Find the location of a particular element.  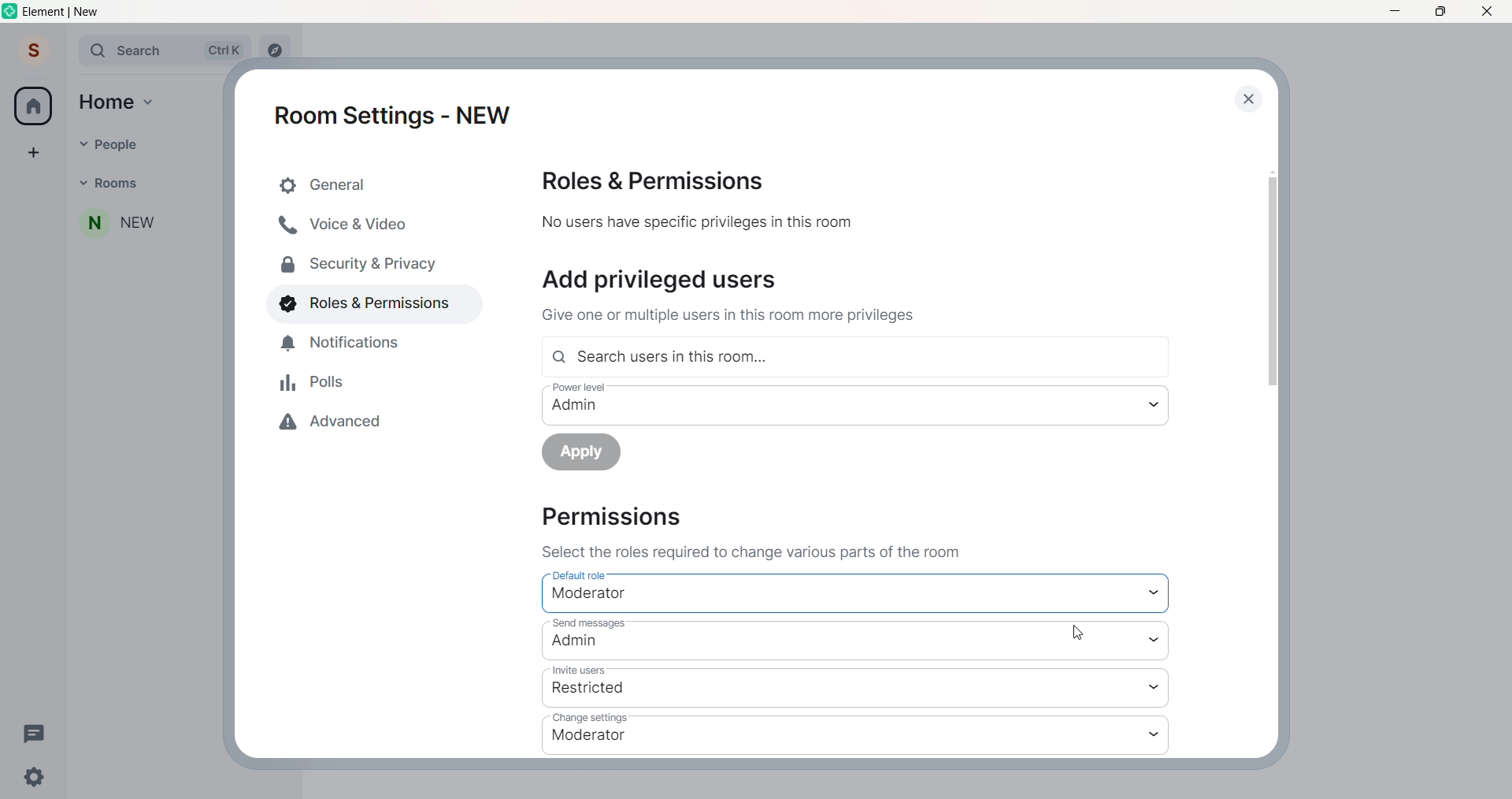

advanced is located at coordinates (339, 425).